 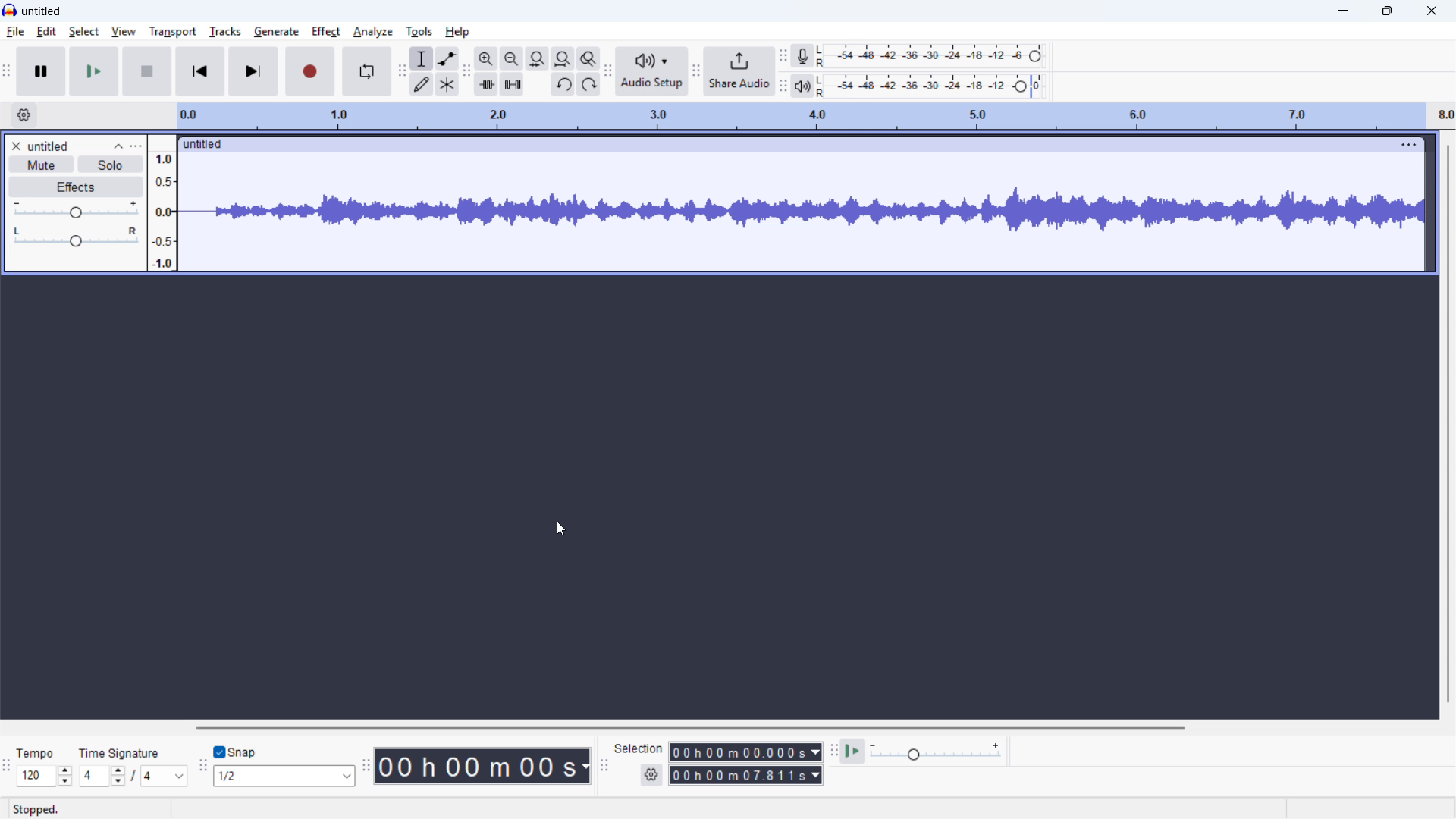 I want to click on Selection tool , so click(x=422, y=58).